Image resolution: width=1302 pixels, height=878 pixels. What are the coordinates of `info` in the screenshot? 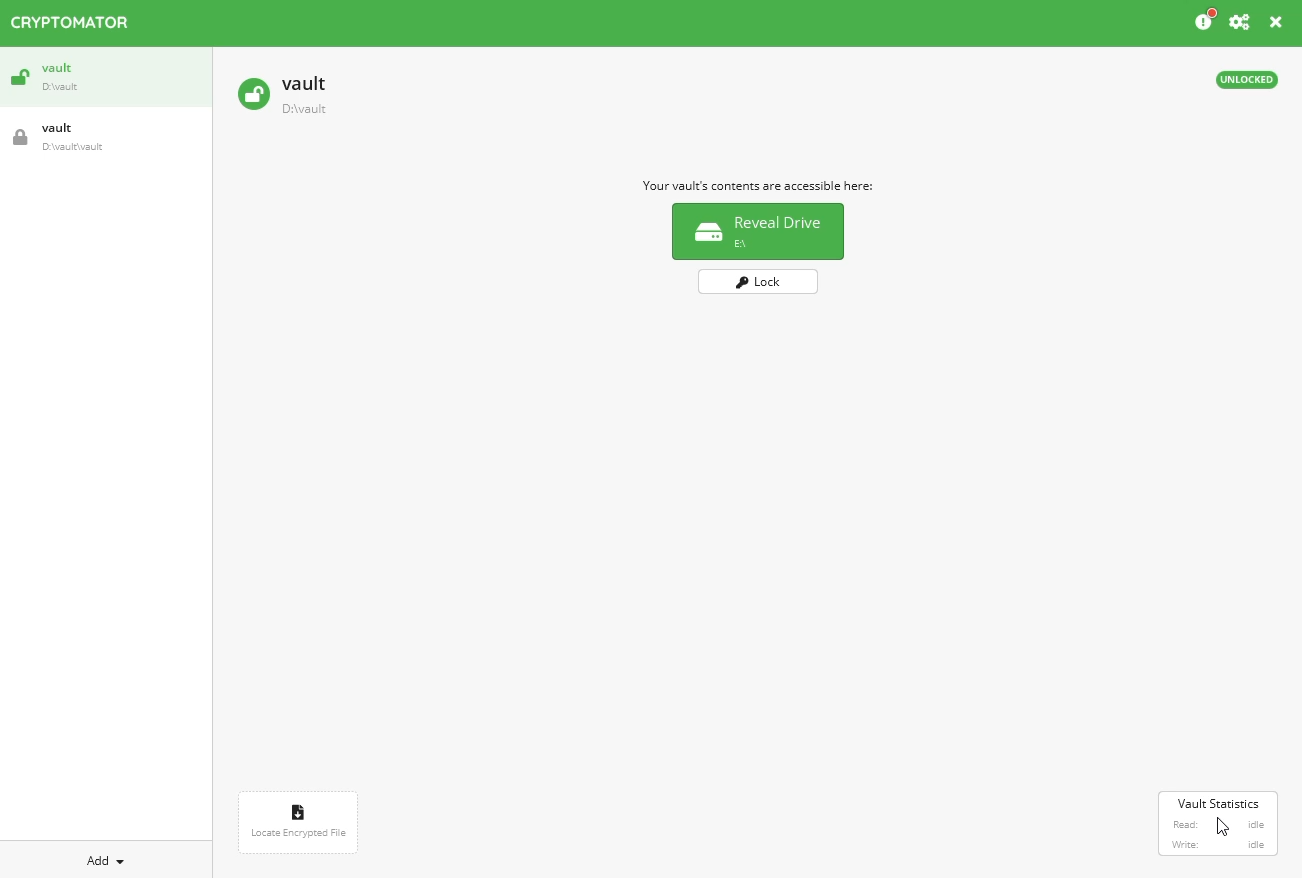 It's located at (1202, 21).